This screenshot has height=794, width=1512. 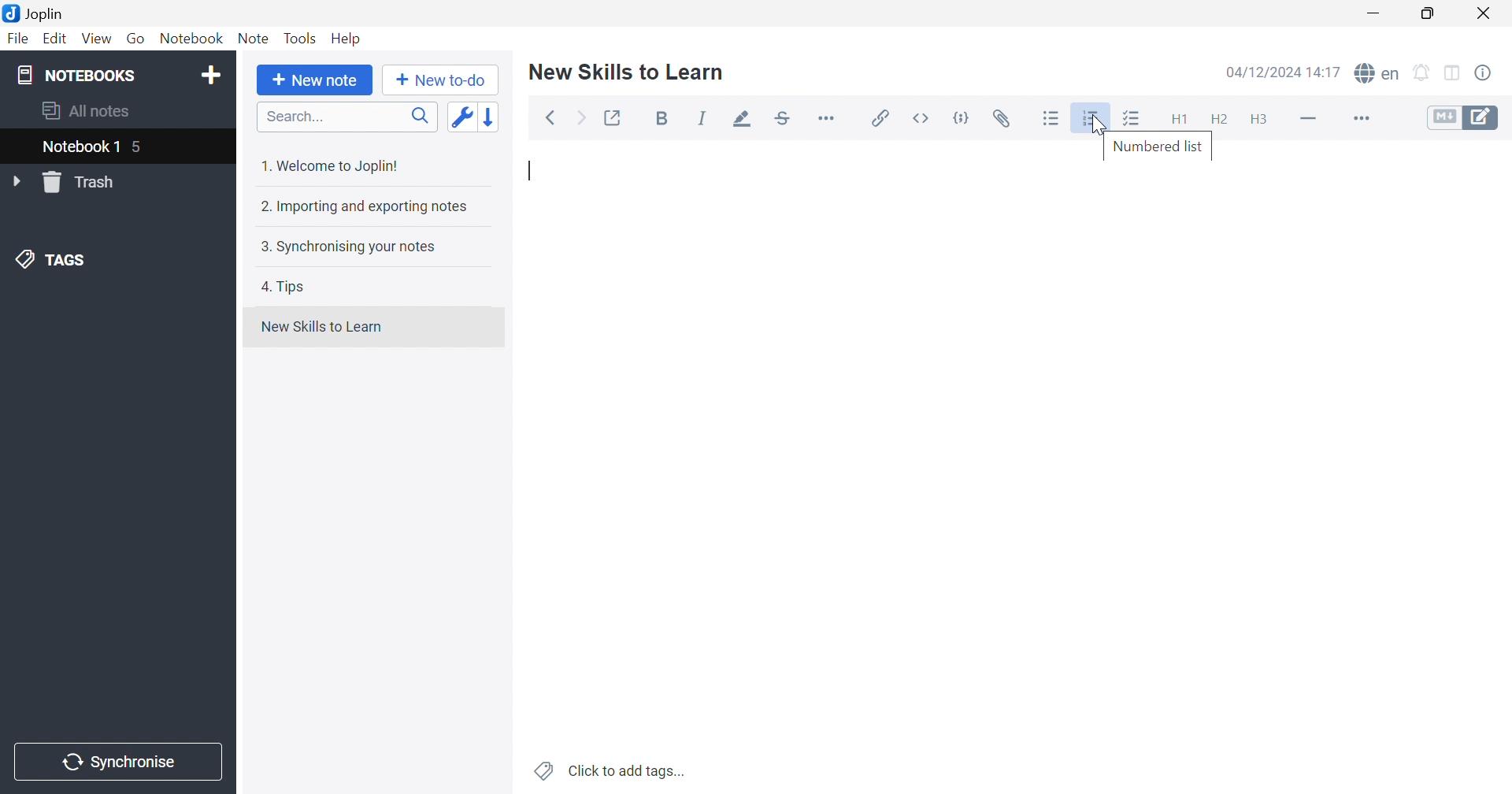 I want to click on New Skills to Learn, so click(x=321, y=327).